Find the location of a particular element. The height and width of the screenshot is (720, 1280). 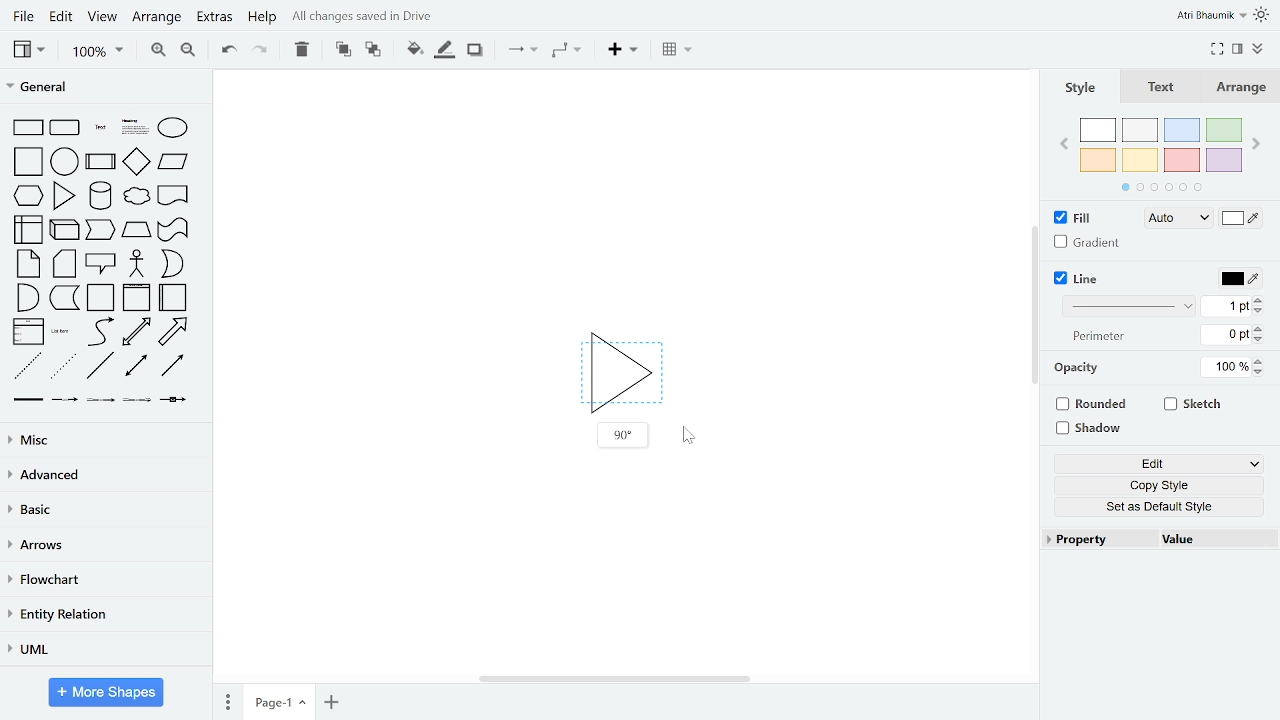

edit is located at coordinates (1162, 463).